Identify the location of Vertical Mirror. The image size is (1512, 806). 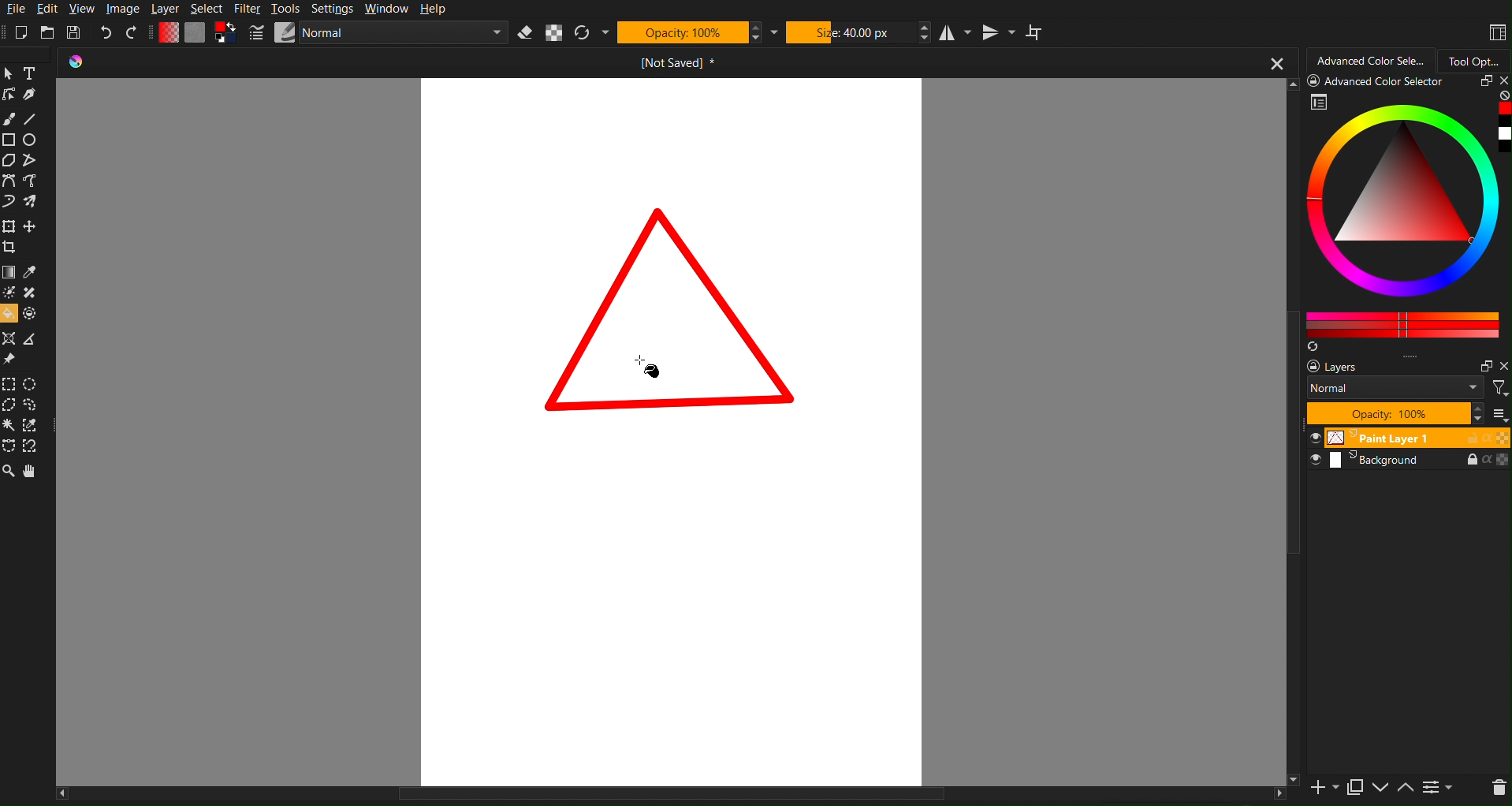
(1000, 32).